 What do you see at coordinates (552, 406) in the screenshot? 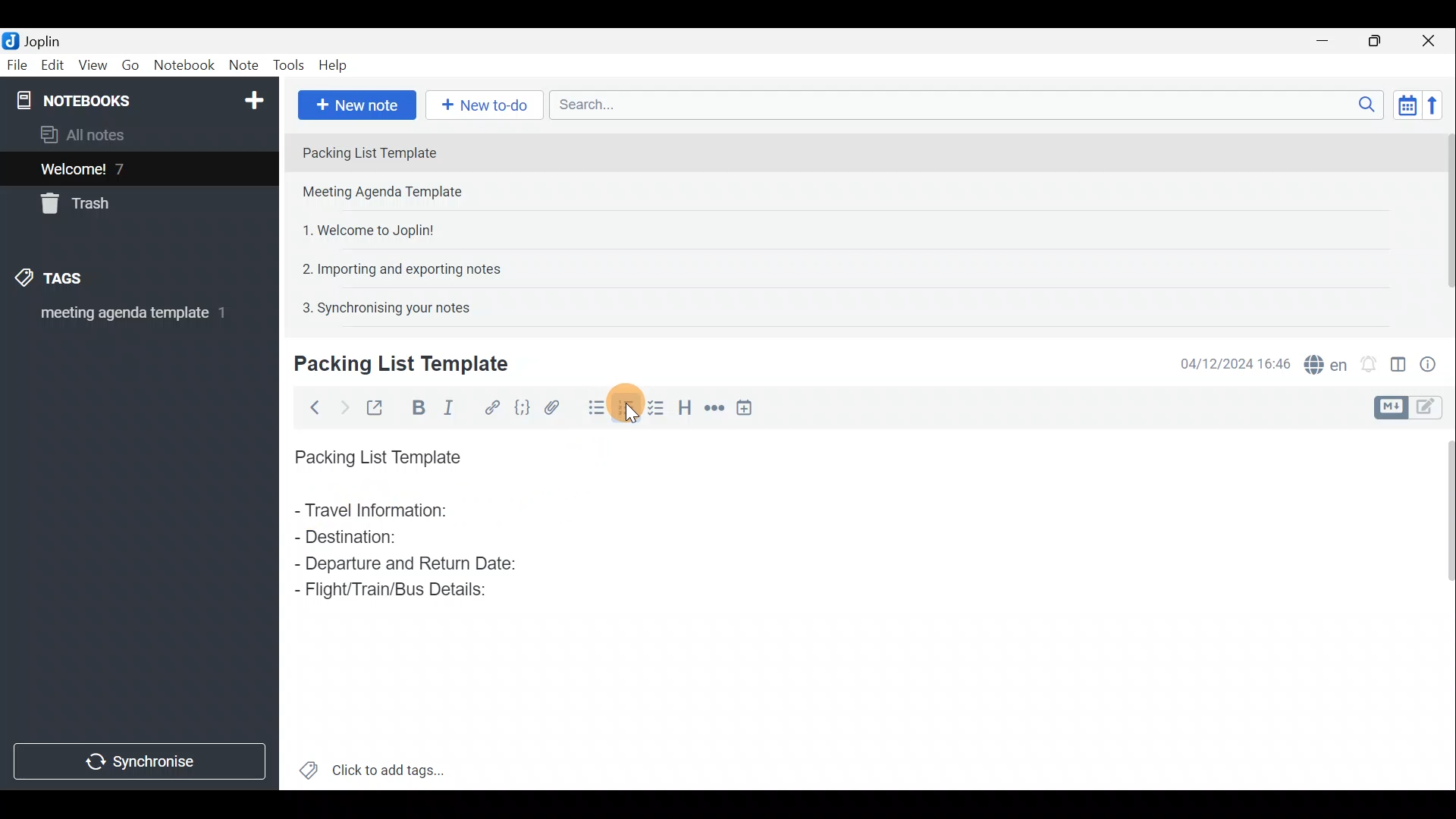
I see `Attach file` at bounding box center [552, 406].